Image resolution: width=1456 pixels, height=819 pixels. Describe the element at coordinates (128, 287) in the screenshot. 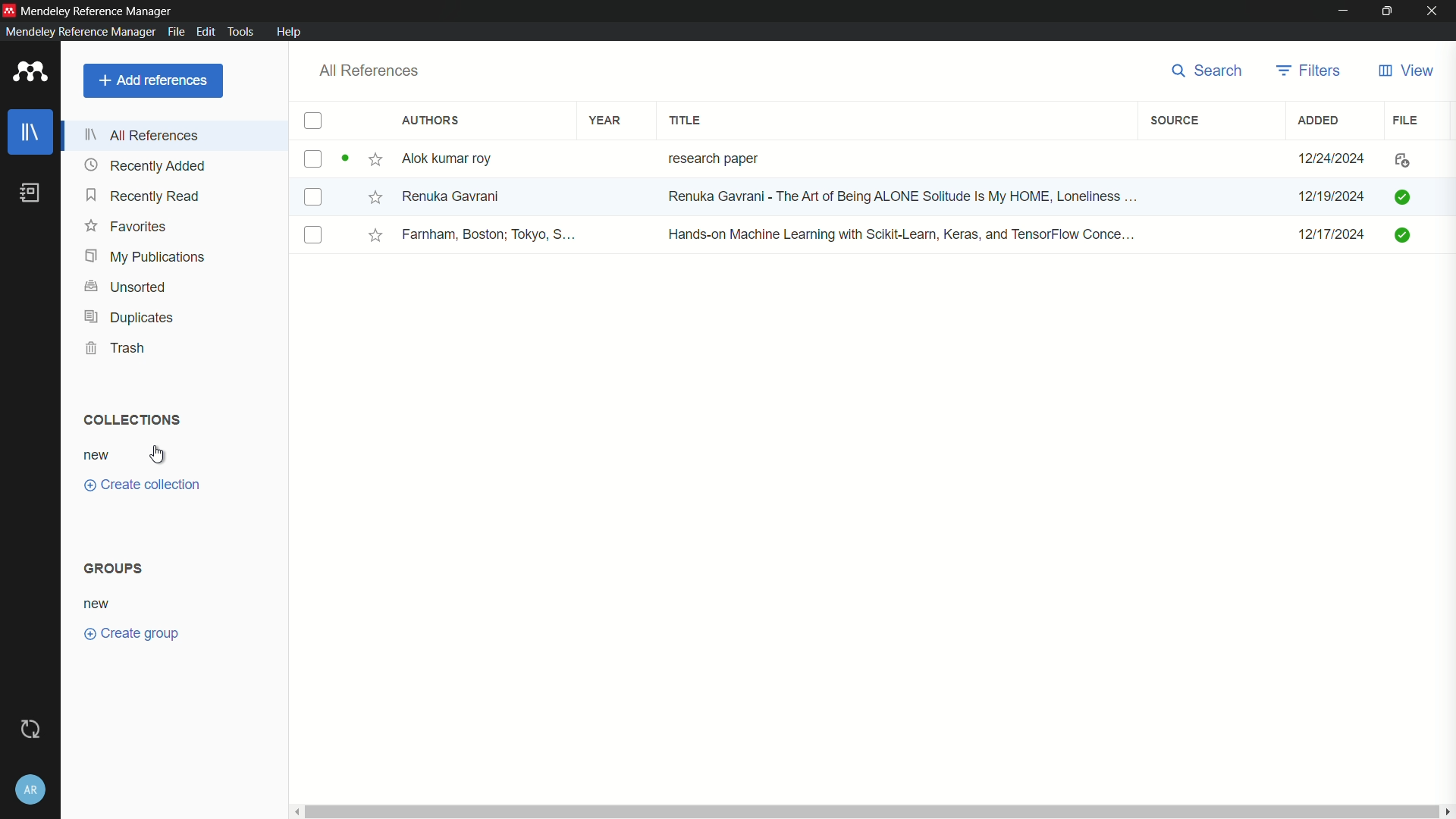

I see `unsorted` at that location.